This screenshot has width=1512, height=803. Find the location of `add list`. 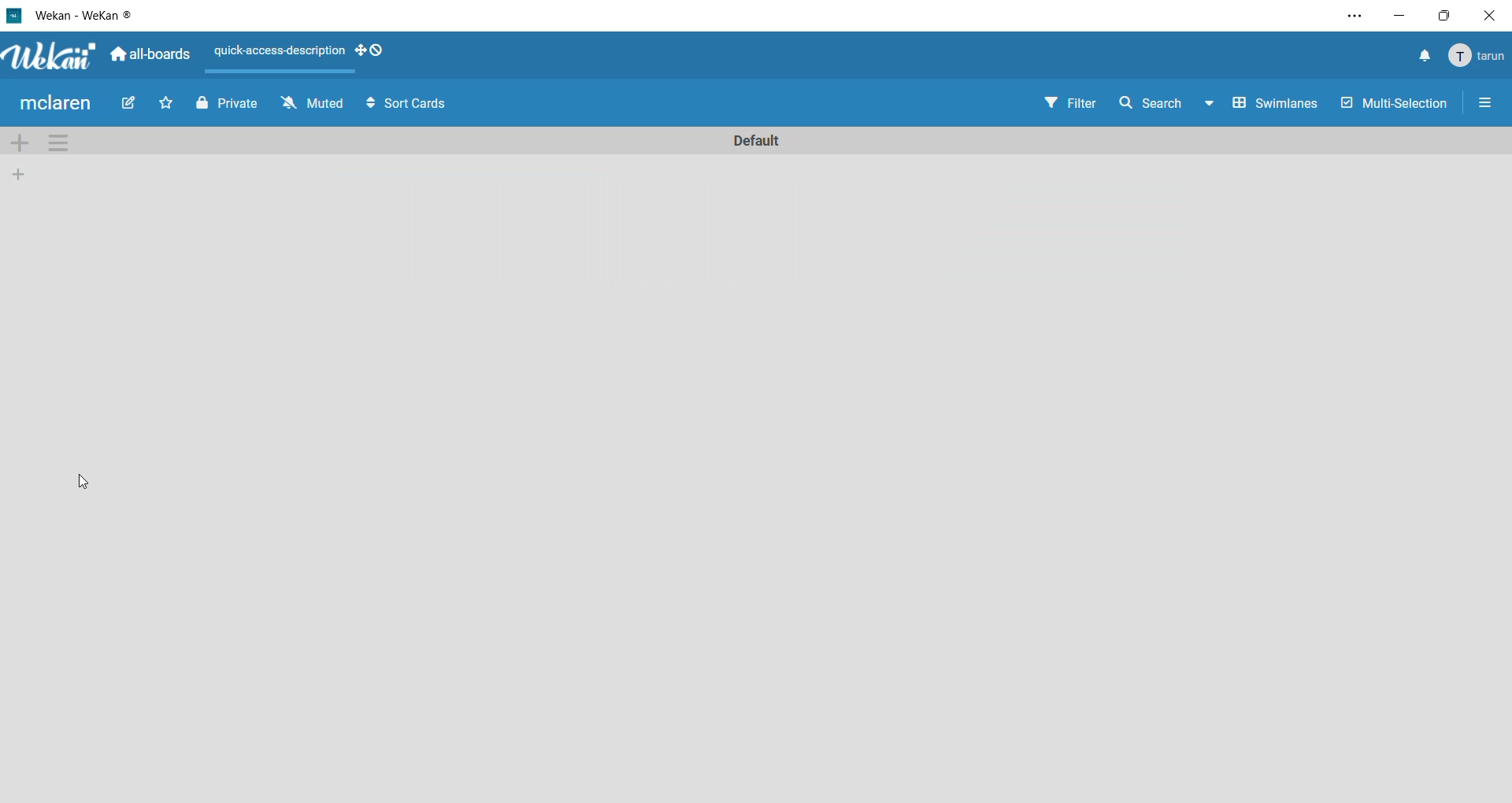

add list is located at coordinates (17, 175).